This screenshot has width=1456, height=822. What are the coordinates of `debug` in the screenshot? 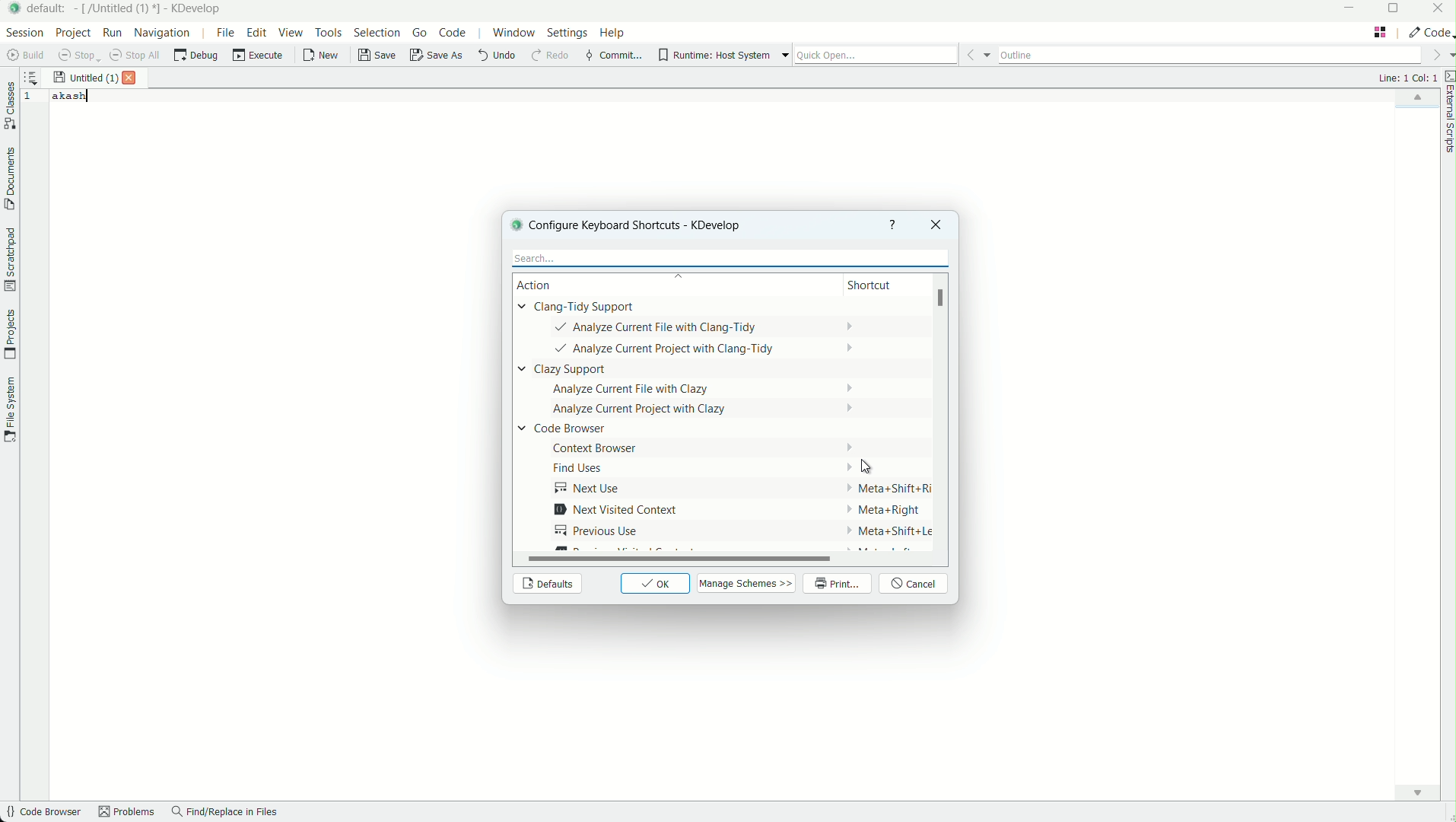 It's located at (196, 56).